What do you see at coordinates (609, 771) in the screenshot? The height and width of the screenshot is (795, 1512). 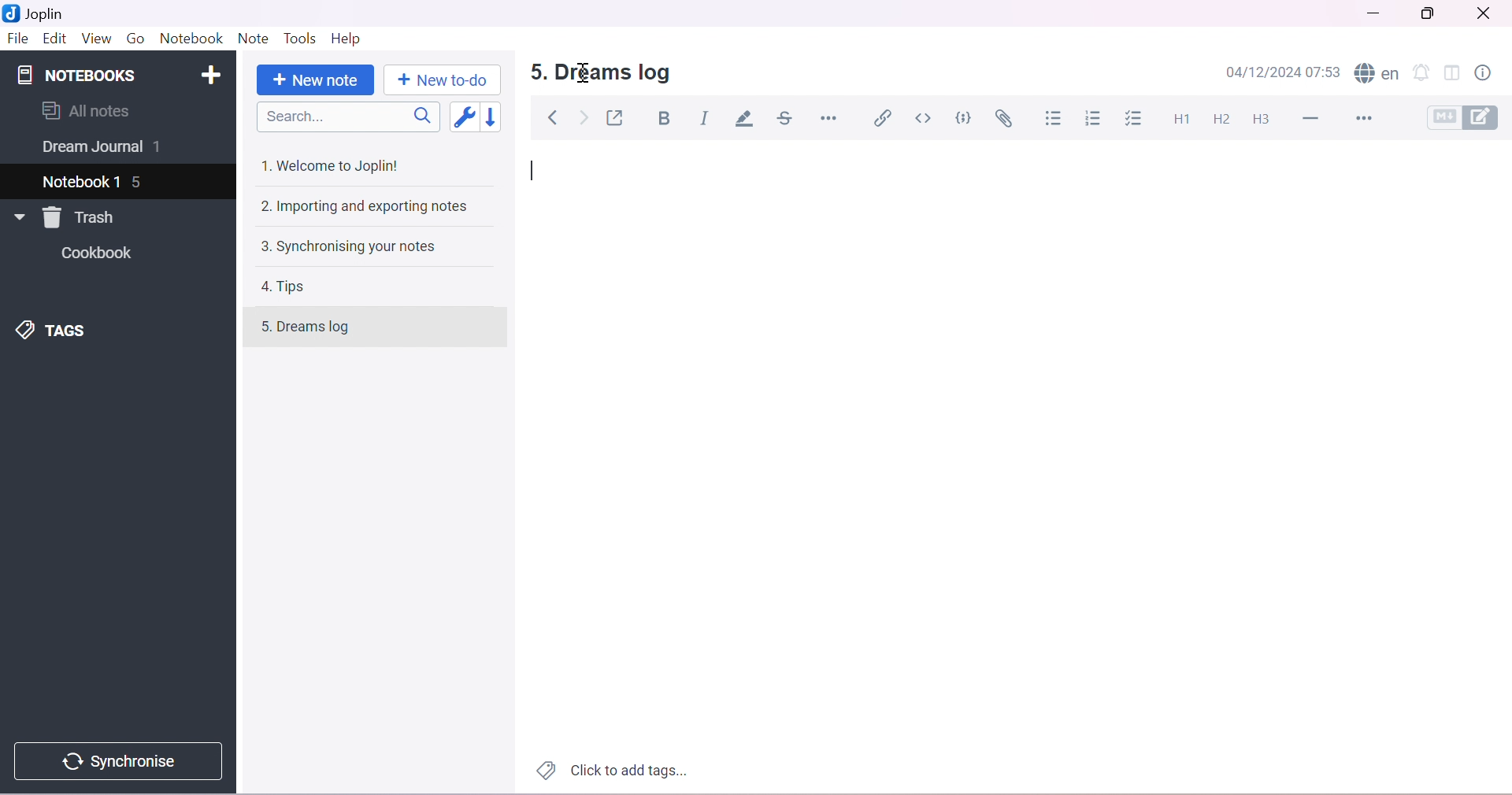 I see `Click to add tags` at bounding box center [609, 771].